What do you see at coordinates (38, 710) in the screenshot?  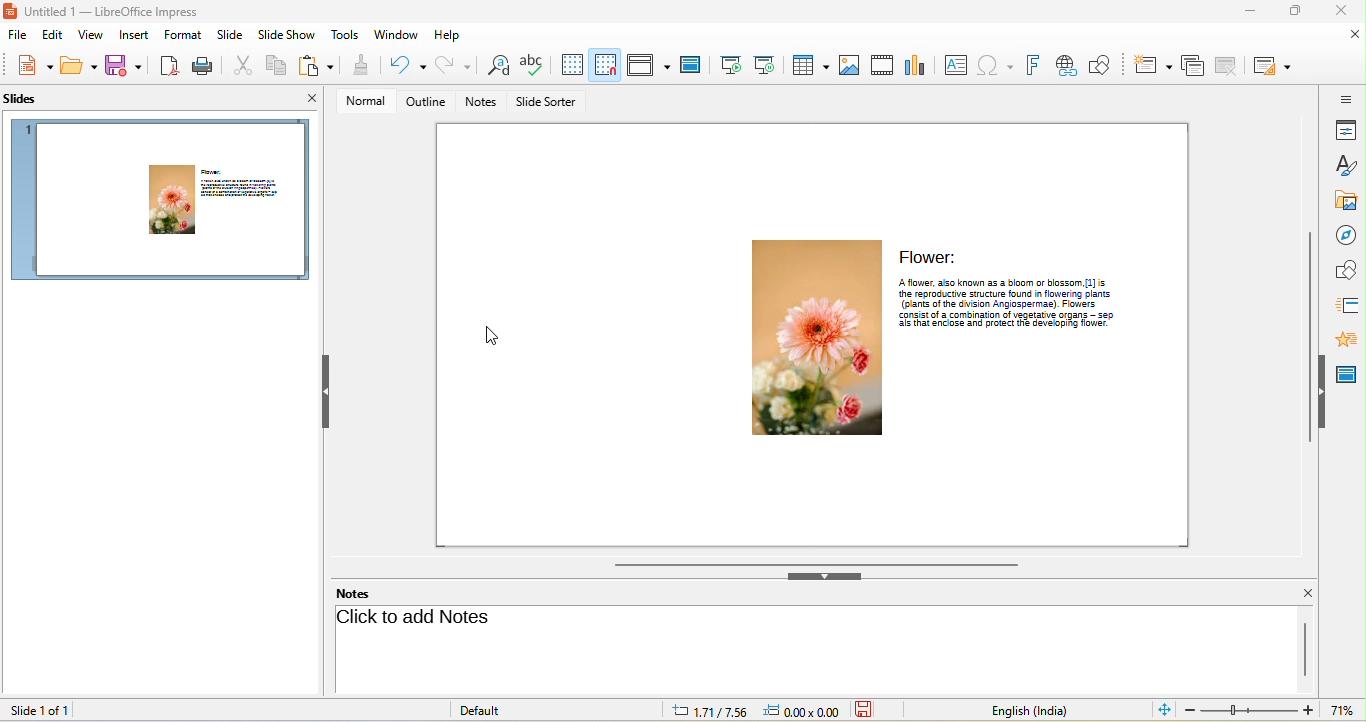 I see `slide 1 of 1` at bounding box center [38, 710].